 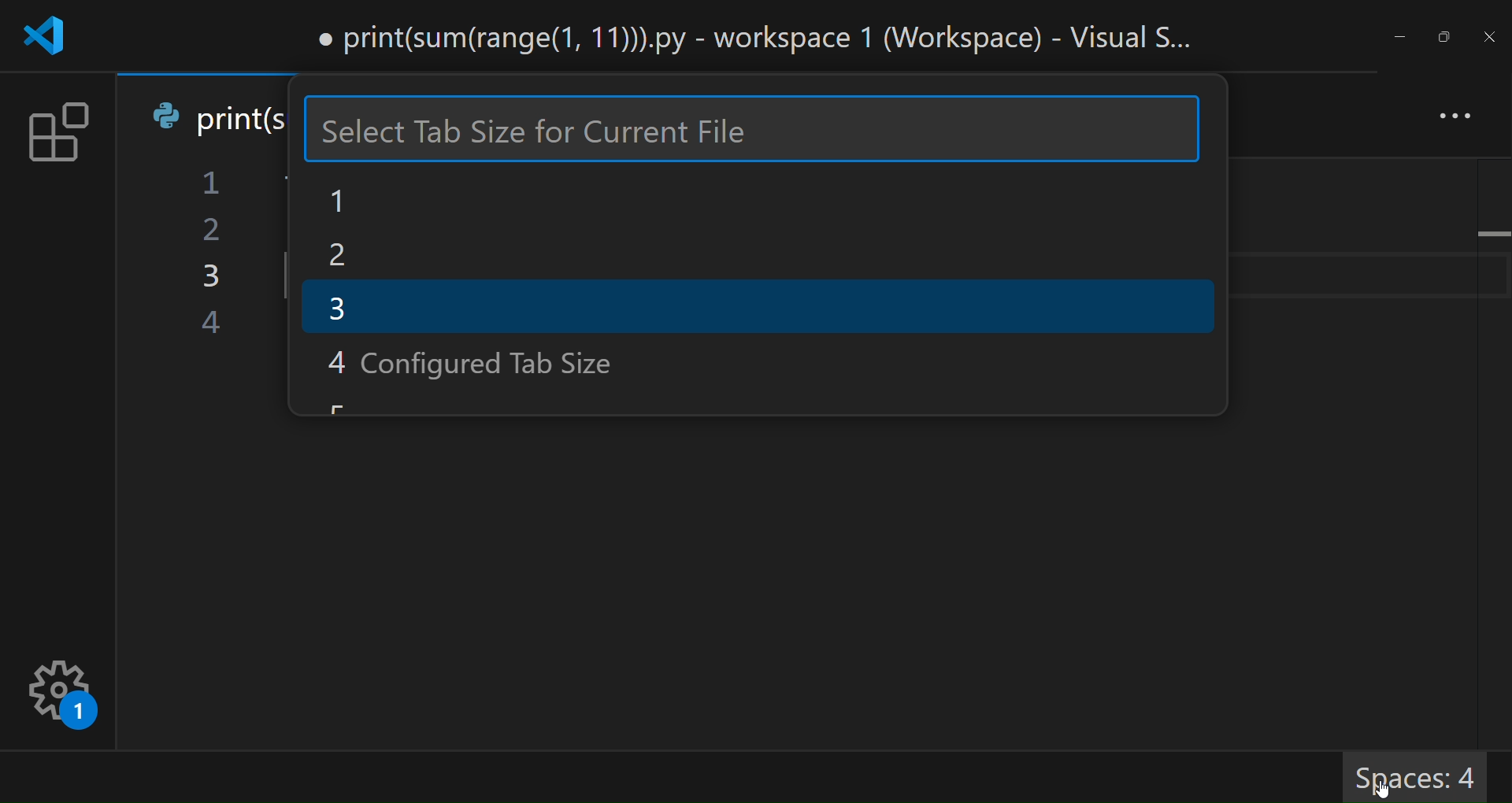 What do you see at coordinates (1382, 789) in the screenshot?
I see `cursor` at bounding box center [1382, 789].